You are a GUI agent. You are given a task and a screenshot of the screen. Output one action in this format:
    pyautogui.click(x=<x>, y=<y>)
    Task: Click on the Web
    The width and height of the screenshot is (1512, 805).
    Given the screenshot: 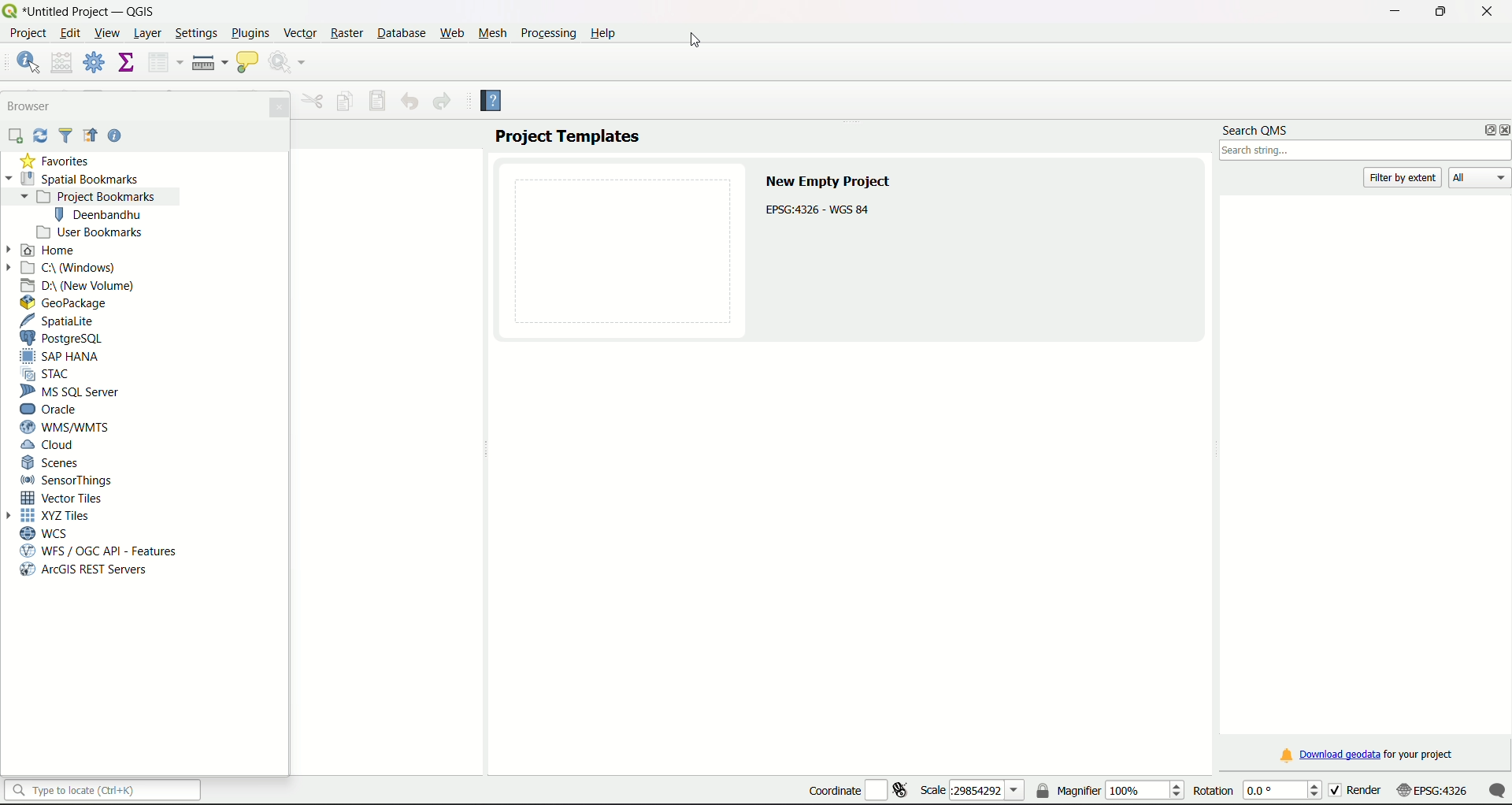 What is the action you would take?
    pyautogui.click(x=452, y=33)
    